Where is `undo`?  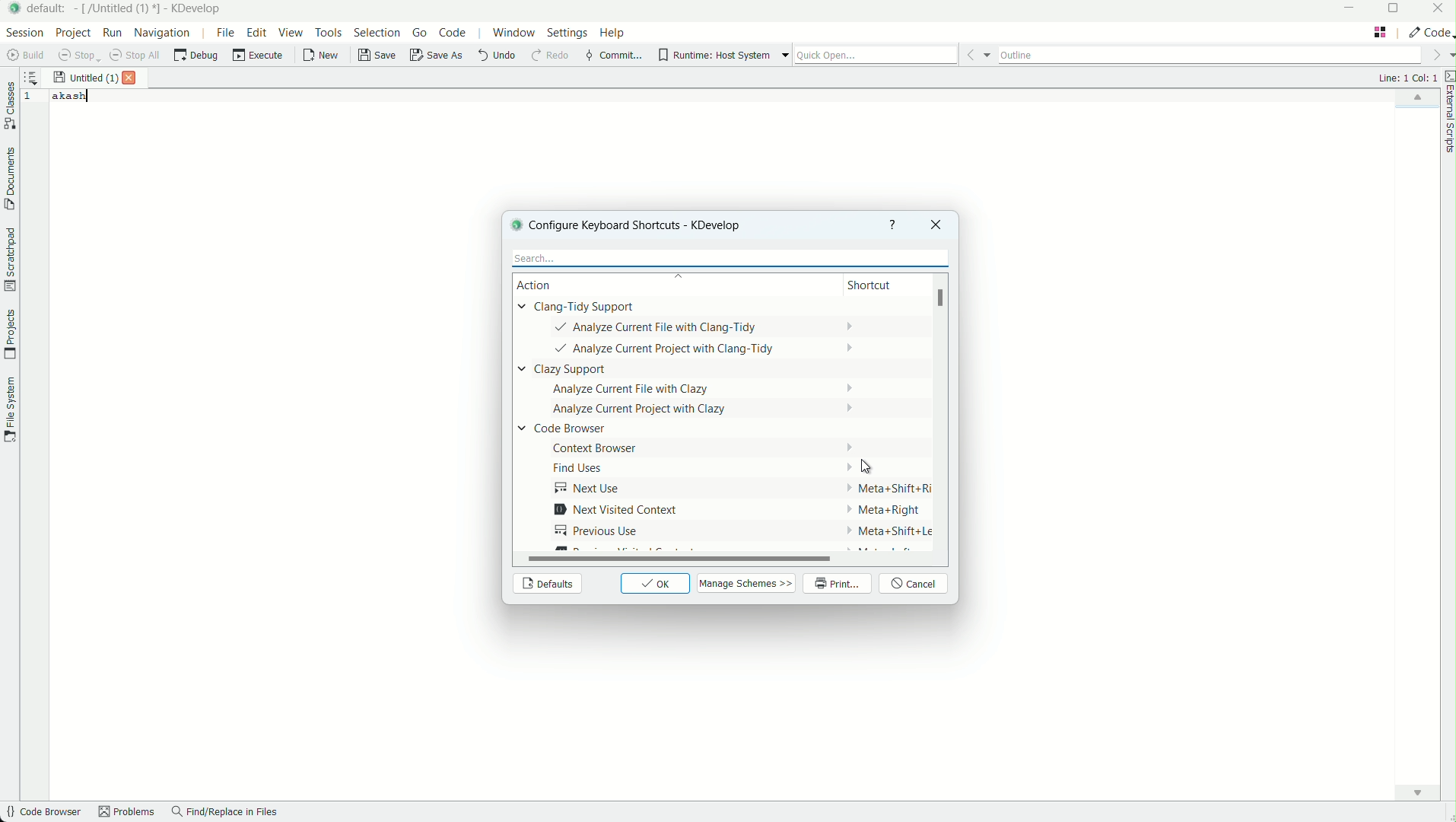 undo is located at coordinates (495, 56).